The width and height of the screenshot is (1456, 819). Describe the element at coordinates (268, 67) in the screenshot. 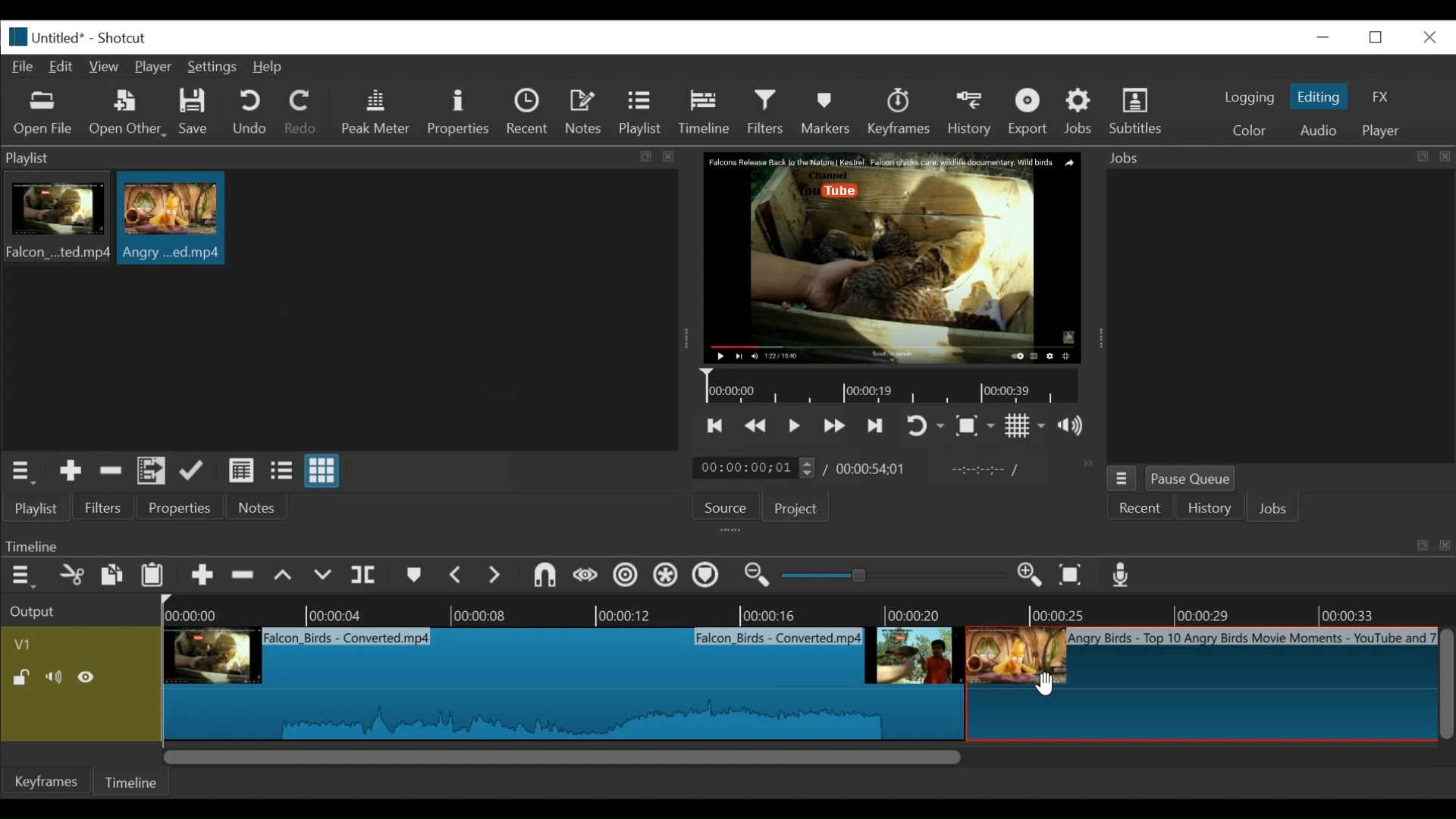

I see `Help` at that location.